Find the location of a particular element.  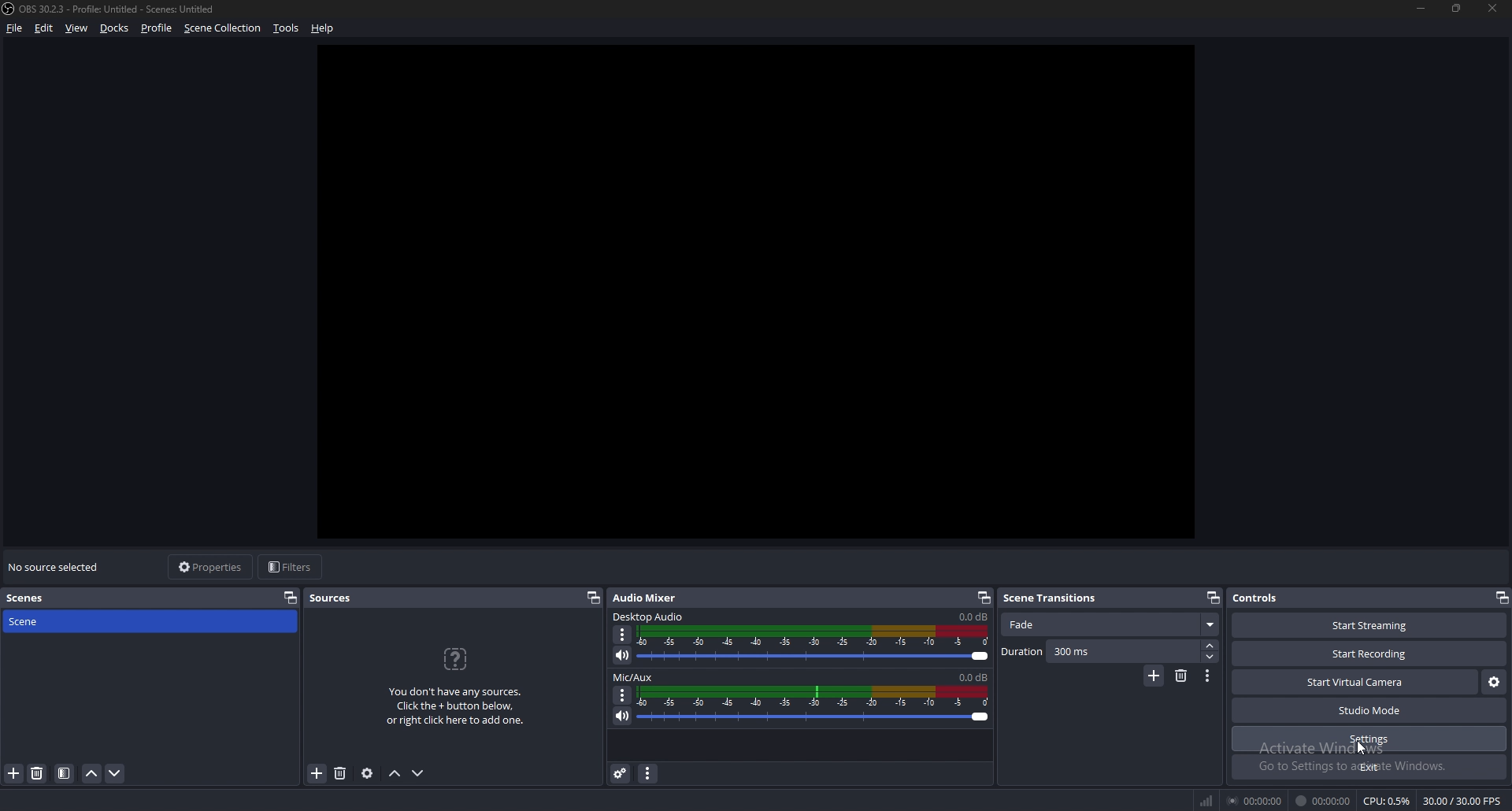

docks is located at coordinates (115, 28).